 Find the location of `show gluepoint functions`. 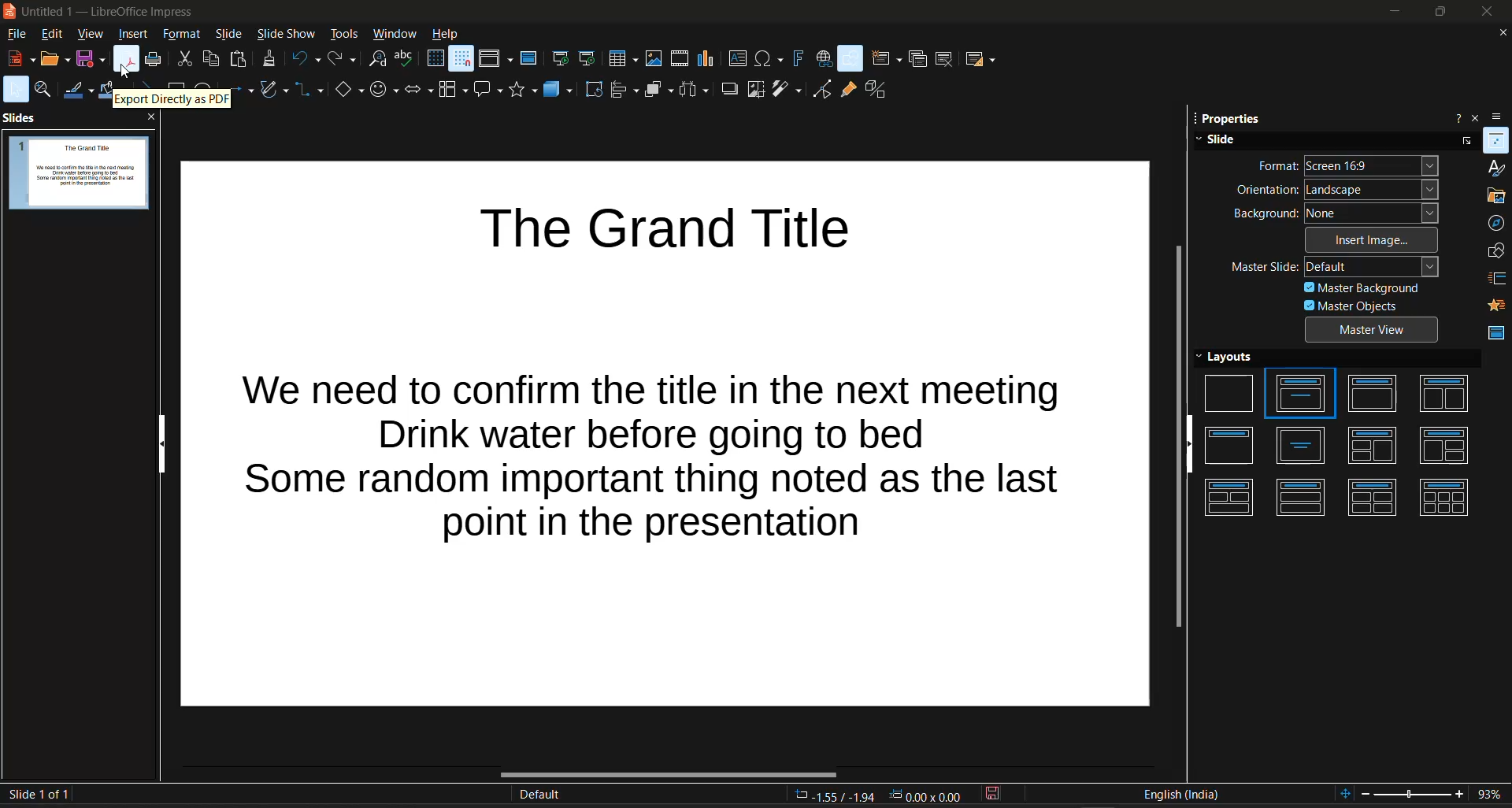

show gluepoint functions is located at coordinates (847, 91).